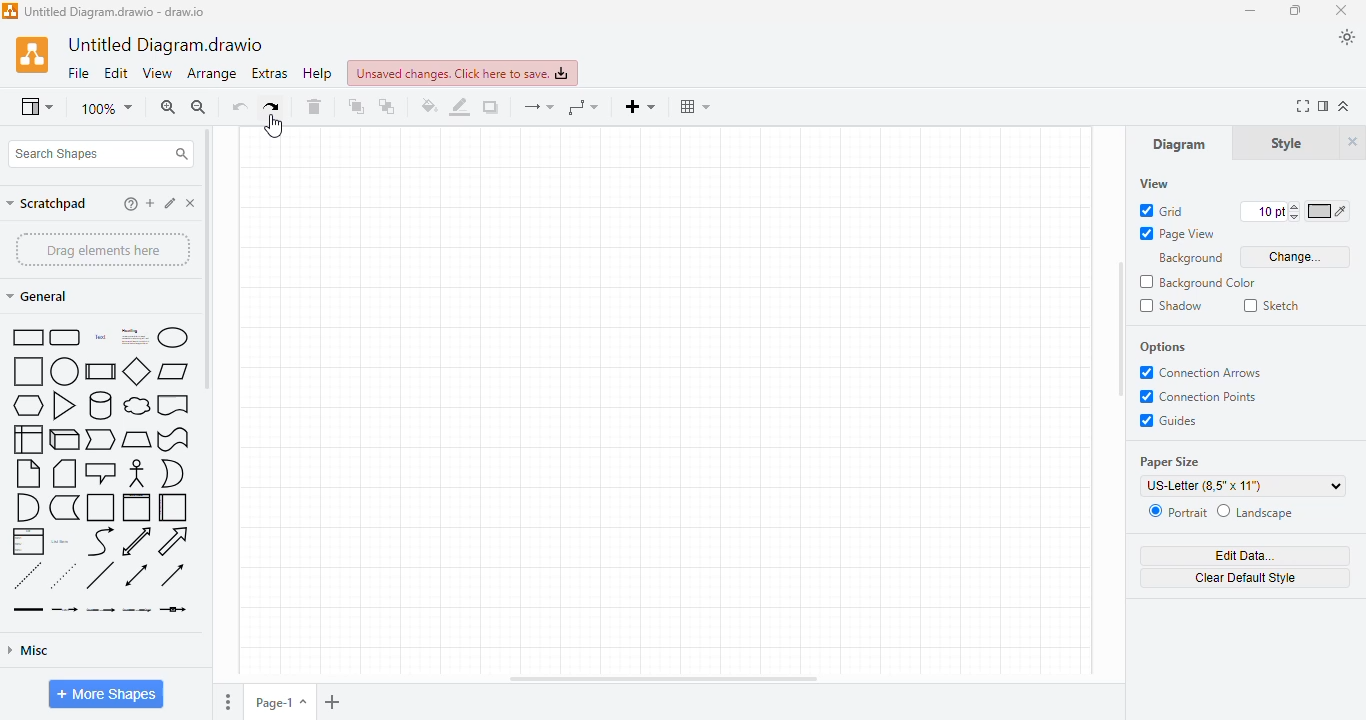  I want to click on logo, so click(10, 10).